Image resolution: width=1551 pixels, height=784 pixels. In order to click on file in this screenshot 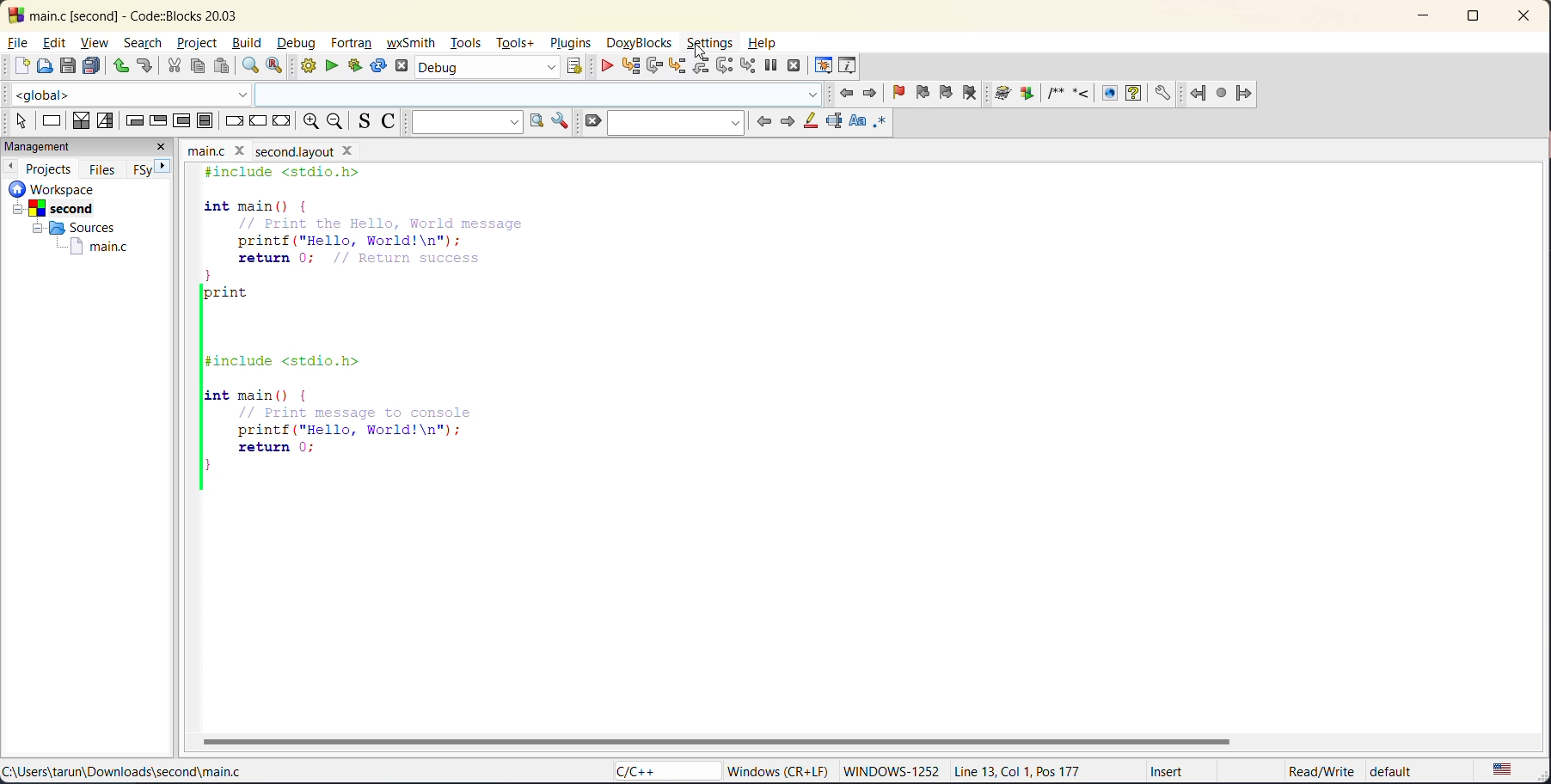, I will do `click(20, 43)`.